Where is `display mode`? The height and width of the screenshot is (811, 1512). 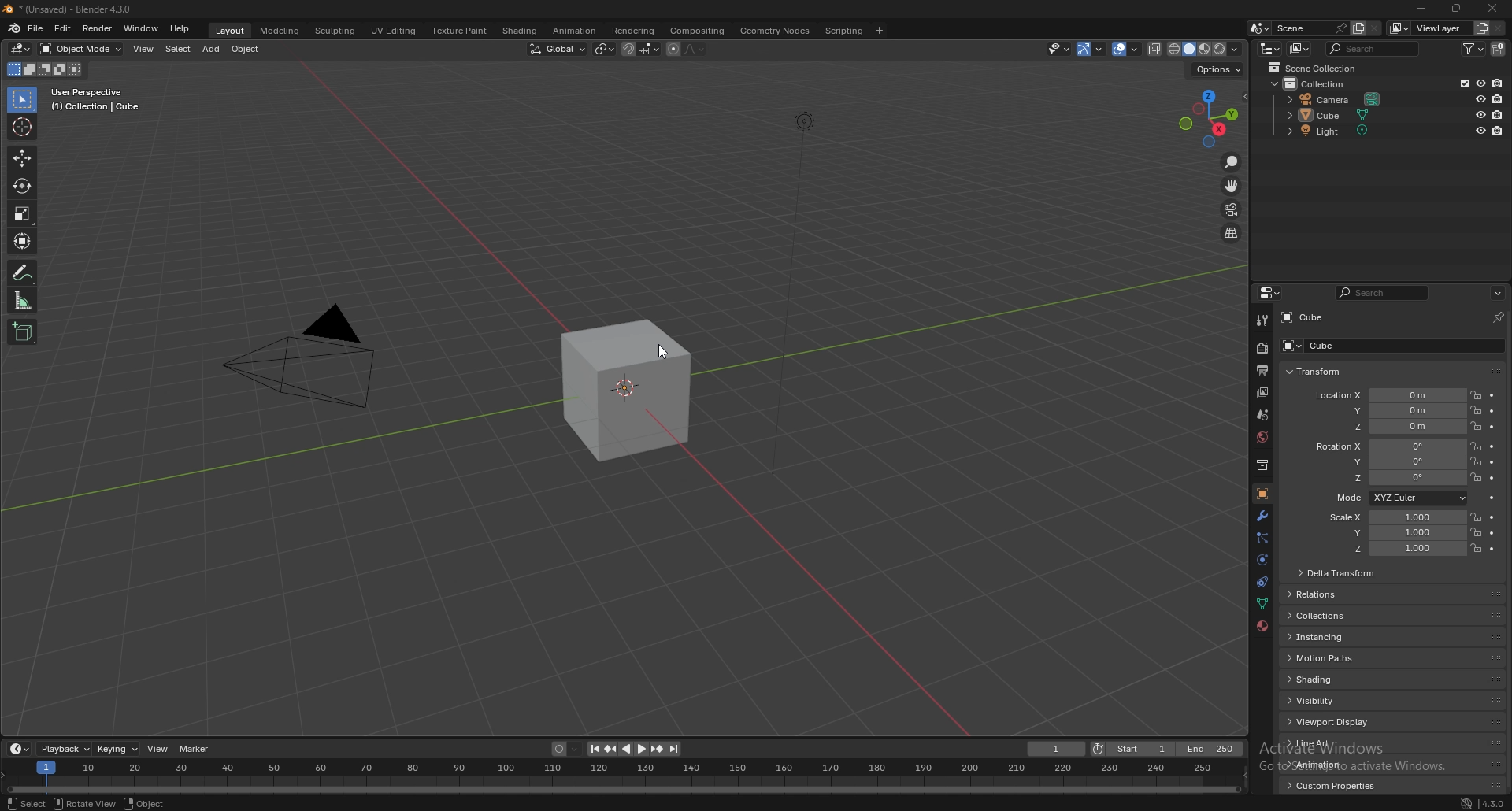 display mode is located at coordinates (1300, 49).